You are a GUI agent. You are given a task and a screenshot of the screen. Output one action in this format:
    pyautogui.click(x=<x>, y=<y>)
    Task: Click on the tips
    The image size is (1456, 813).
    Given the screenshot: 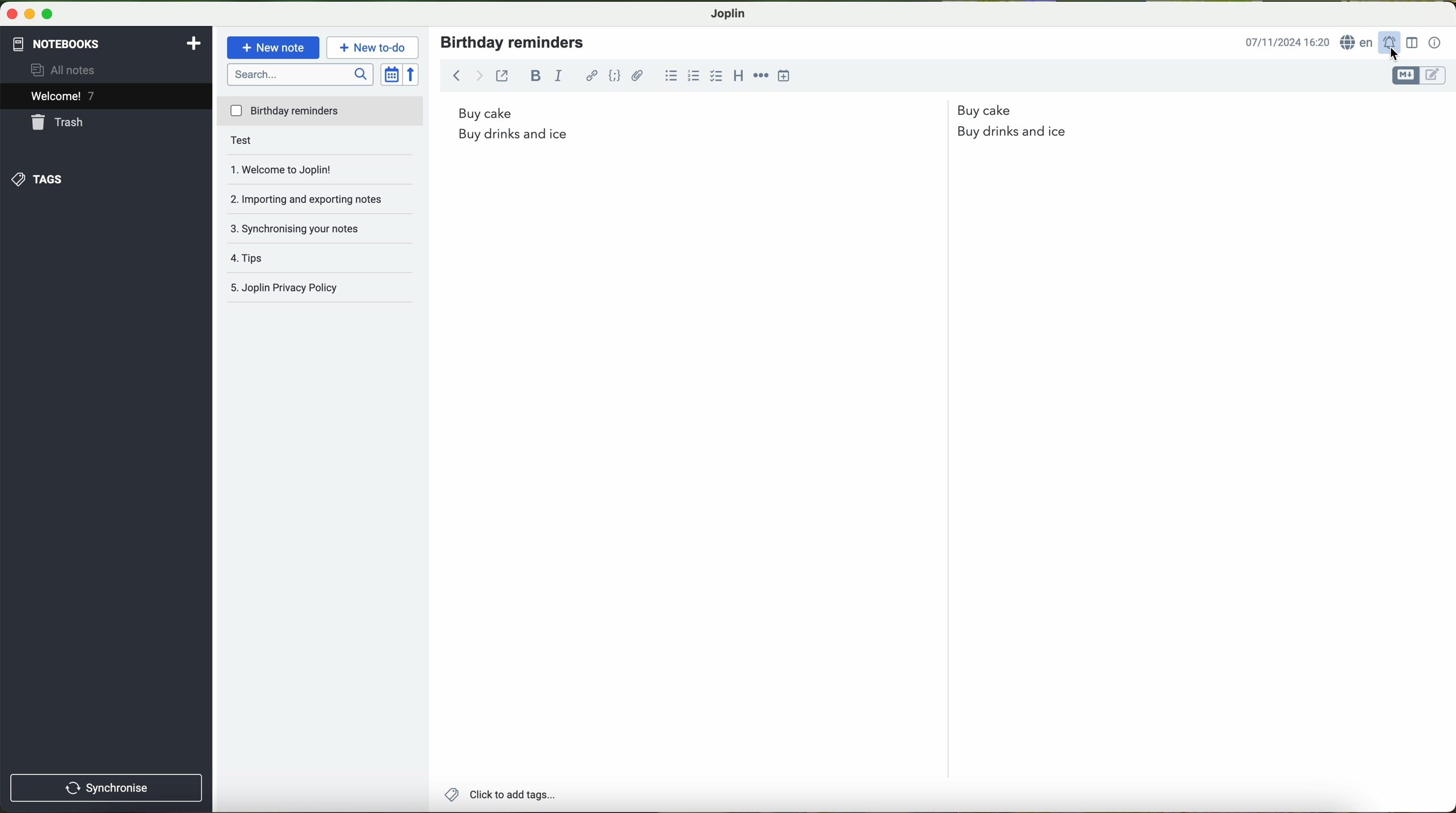 What is the action you would take?
    pyautogui.click(x=269, y=254)
    